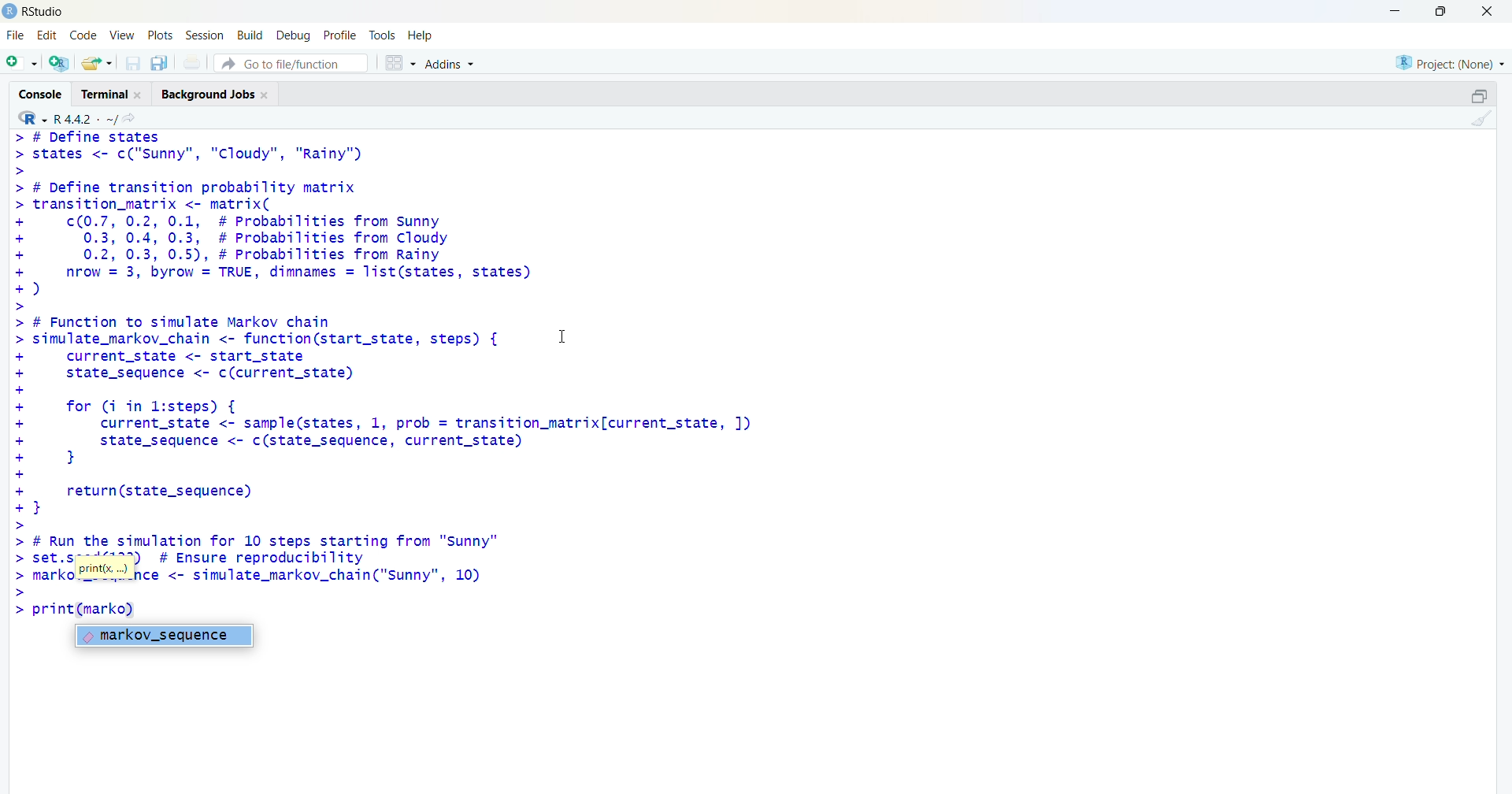 The height and width of the screenshot is (794, 1512). Describe the element at coordinates (1392, 11) in the screenshot. I see `minimize` at that location.